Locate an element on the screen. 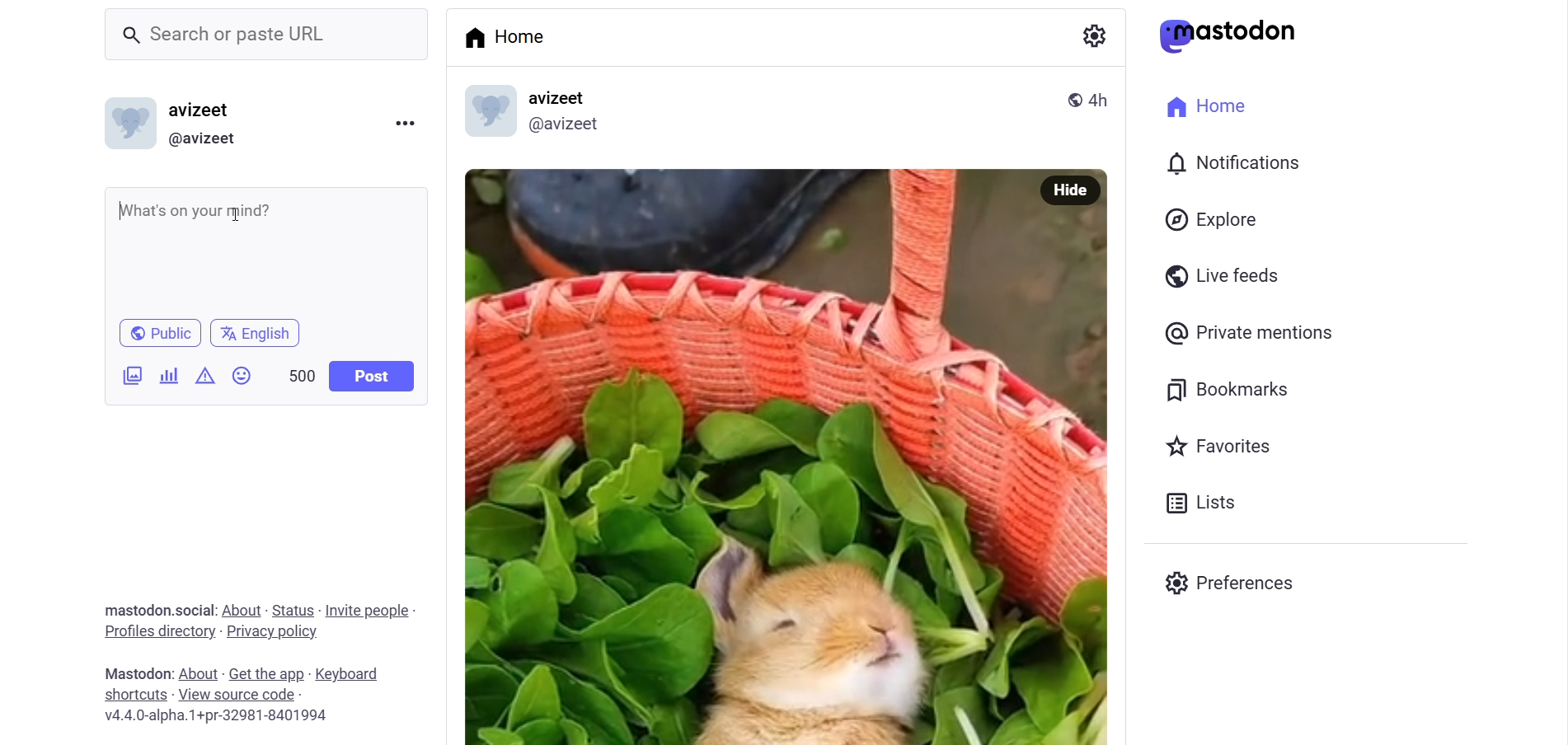 The width and height of the screenshot is (1568, 745). get the app is located at coordinates (268, 672).